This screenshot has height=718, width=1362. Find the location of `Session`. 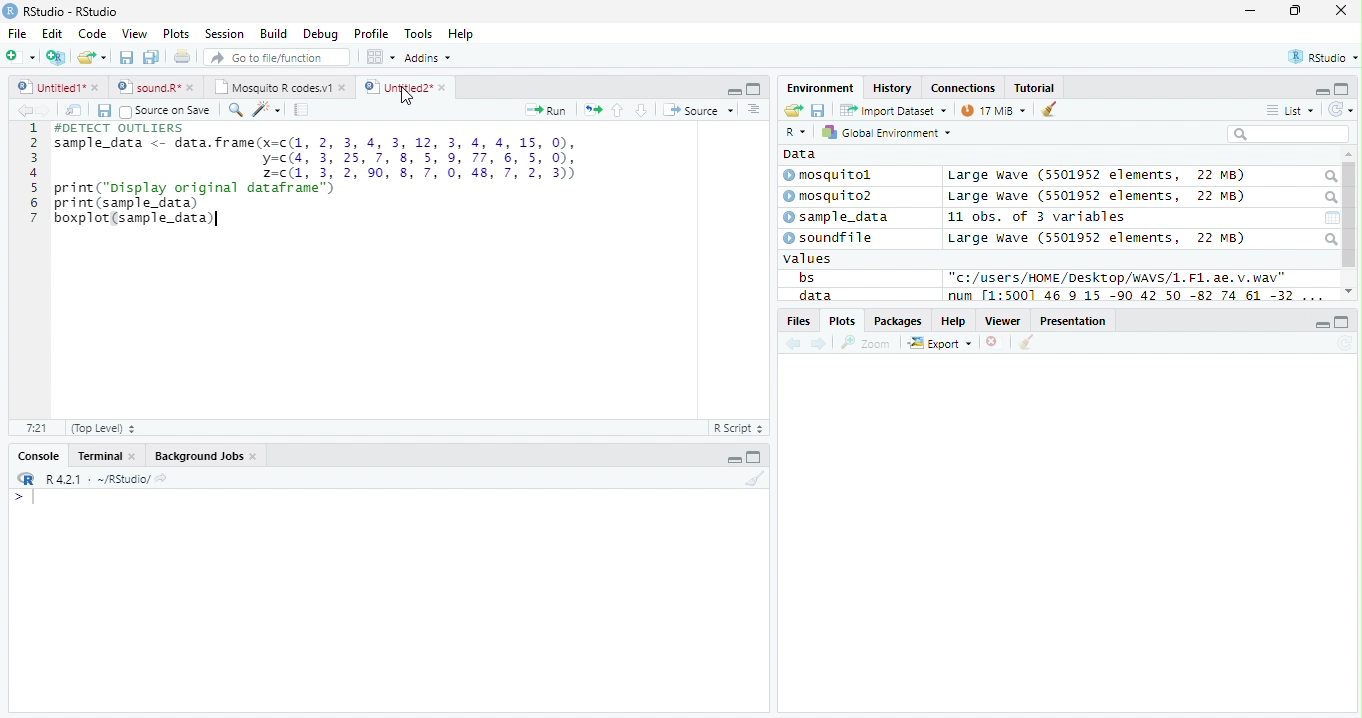

Session is located at coordinates (224, 33).